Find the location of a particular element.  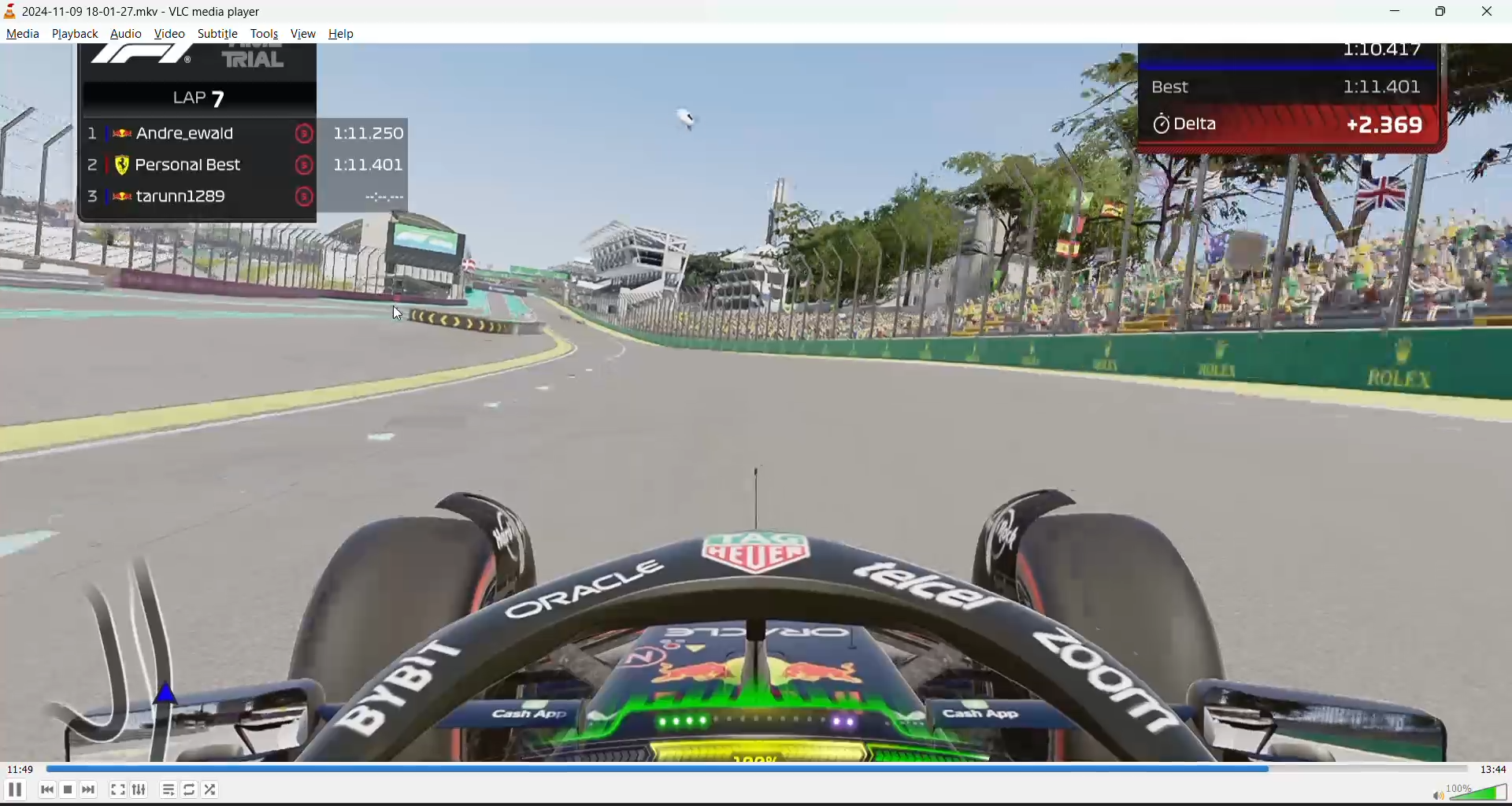

maximize is located at coordinates (1447, 12).